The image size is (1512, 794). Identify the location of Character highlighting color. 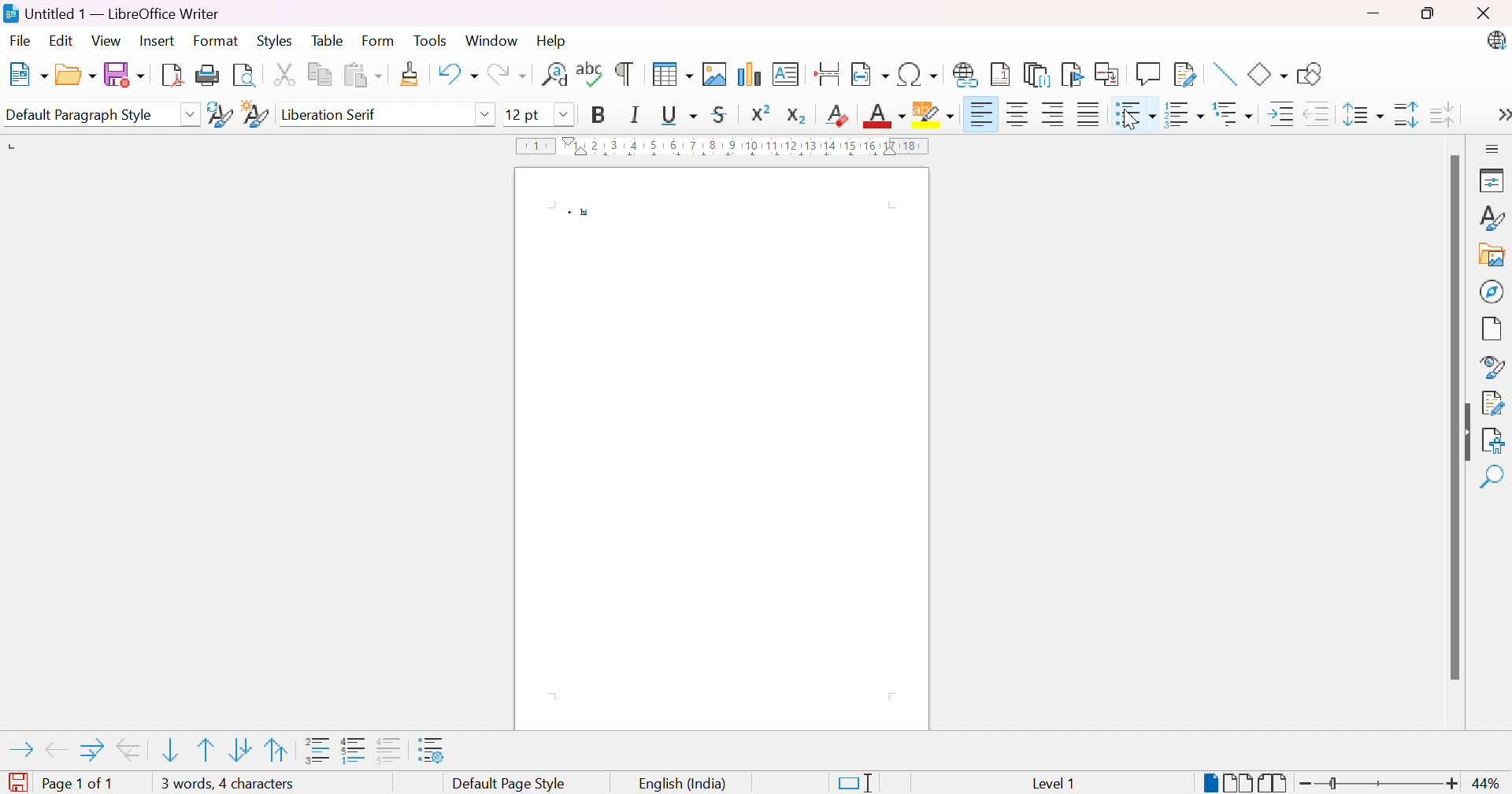
(934, 110).